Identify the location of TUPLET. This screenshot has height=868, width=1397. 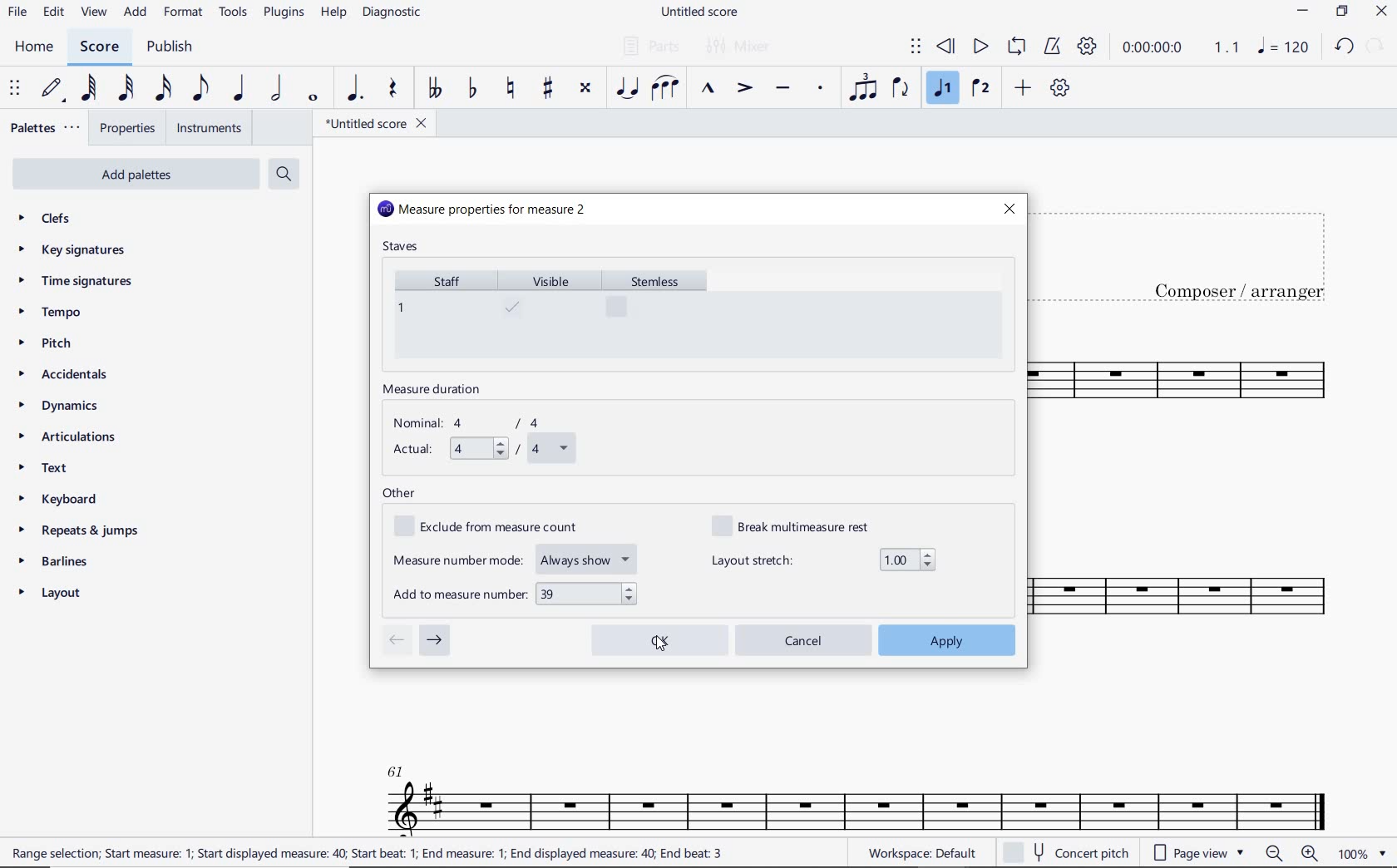
(865, 87).